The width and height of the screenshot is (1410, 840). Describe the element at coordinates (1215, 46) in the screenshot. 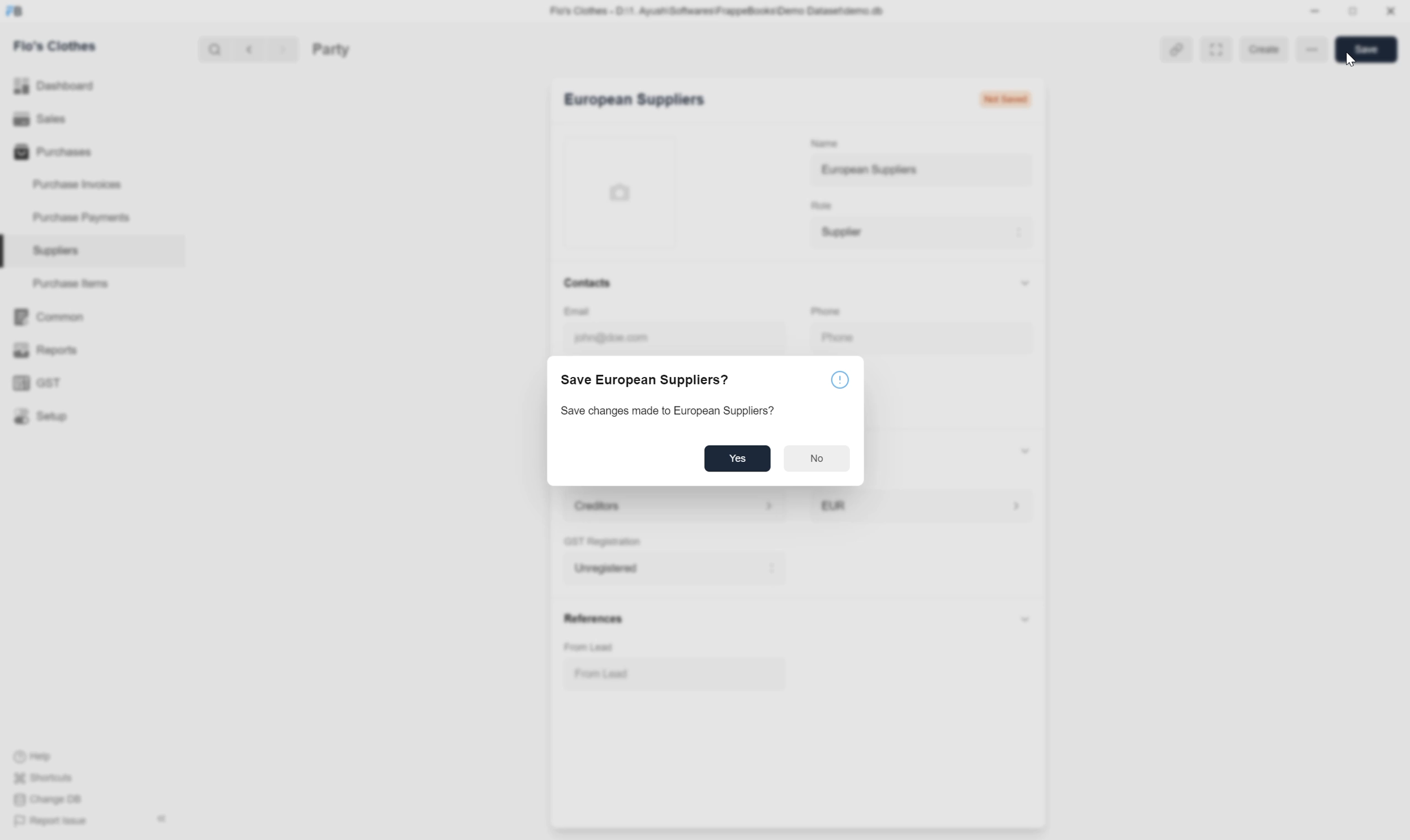

I see `Expand` at that location.